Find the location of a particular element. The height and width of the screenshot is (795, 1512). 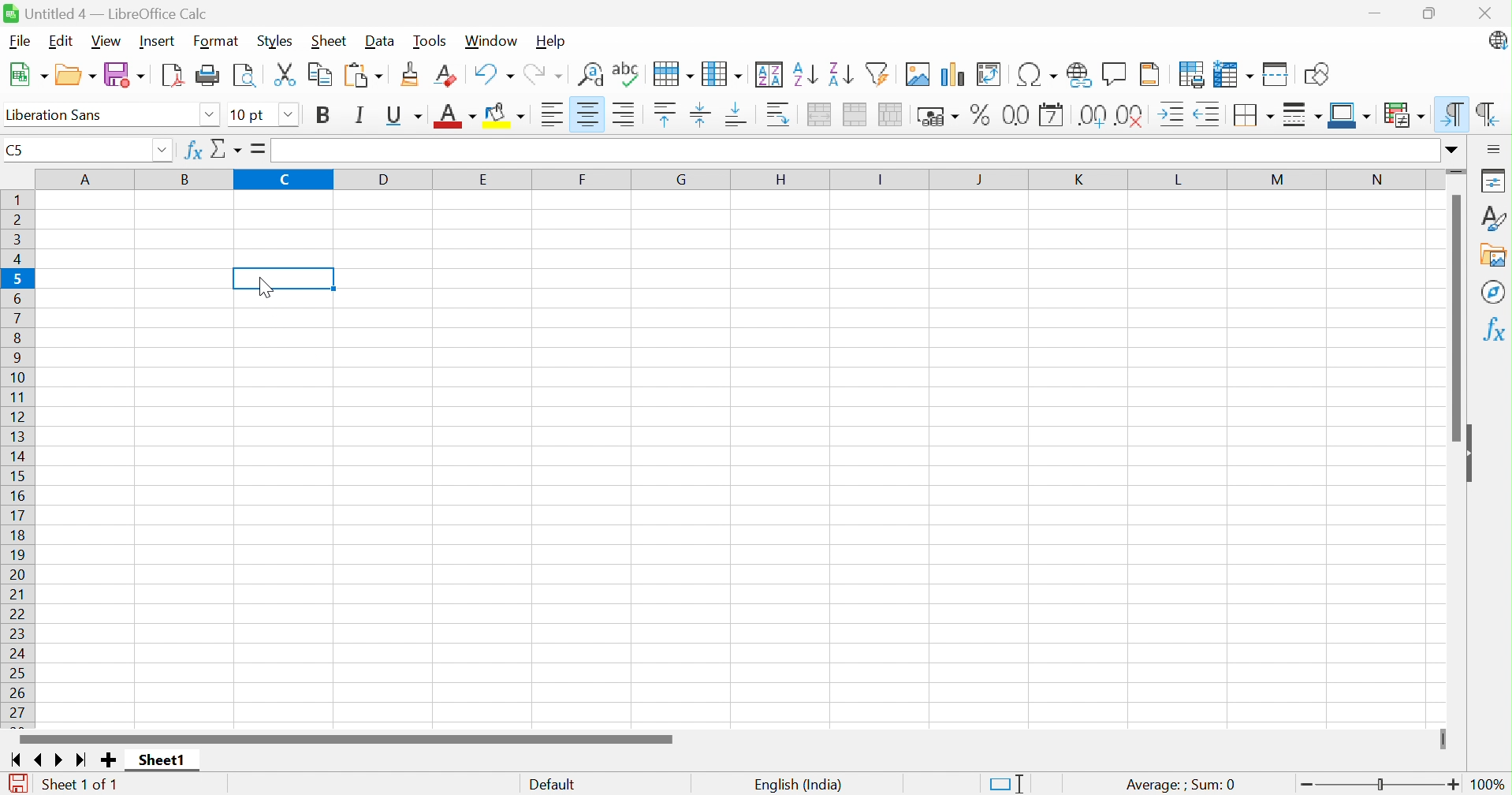

Drop Down is located at coordinates (208, 114).